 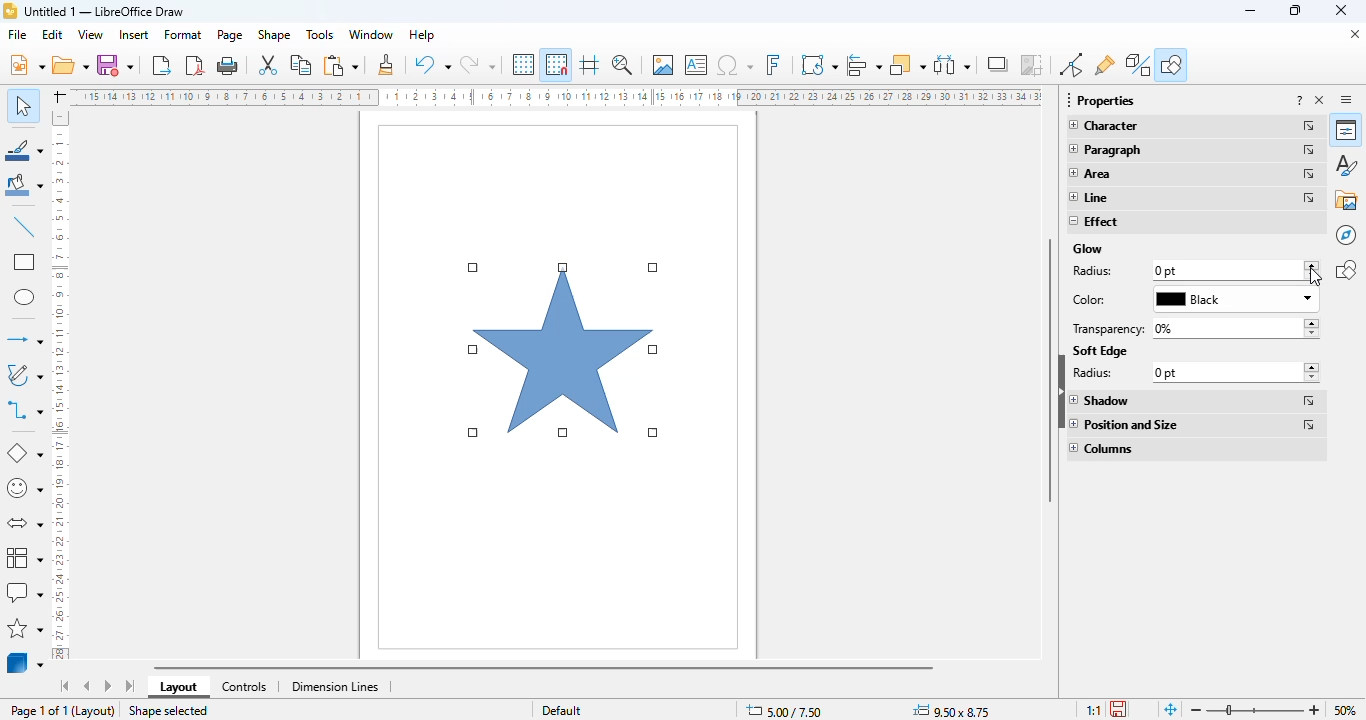 What do you see at coordinates (23, 524) in the screenshot?
I see `block arrows` at bounding box center [23, 524].